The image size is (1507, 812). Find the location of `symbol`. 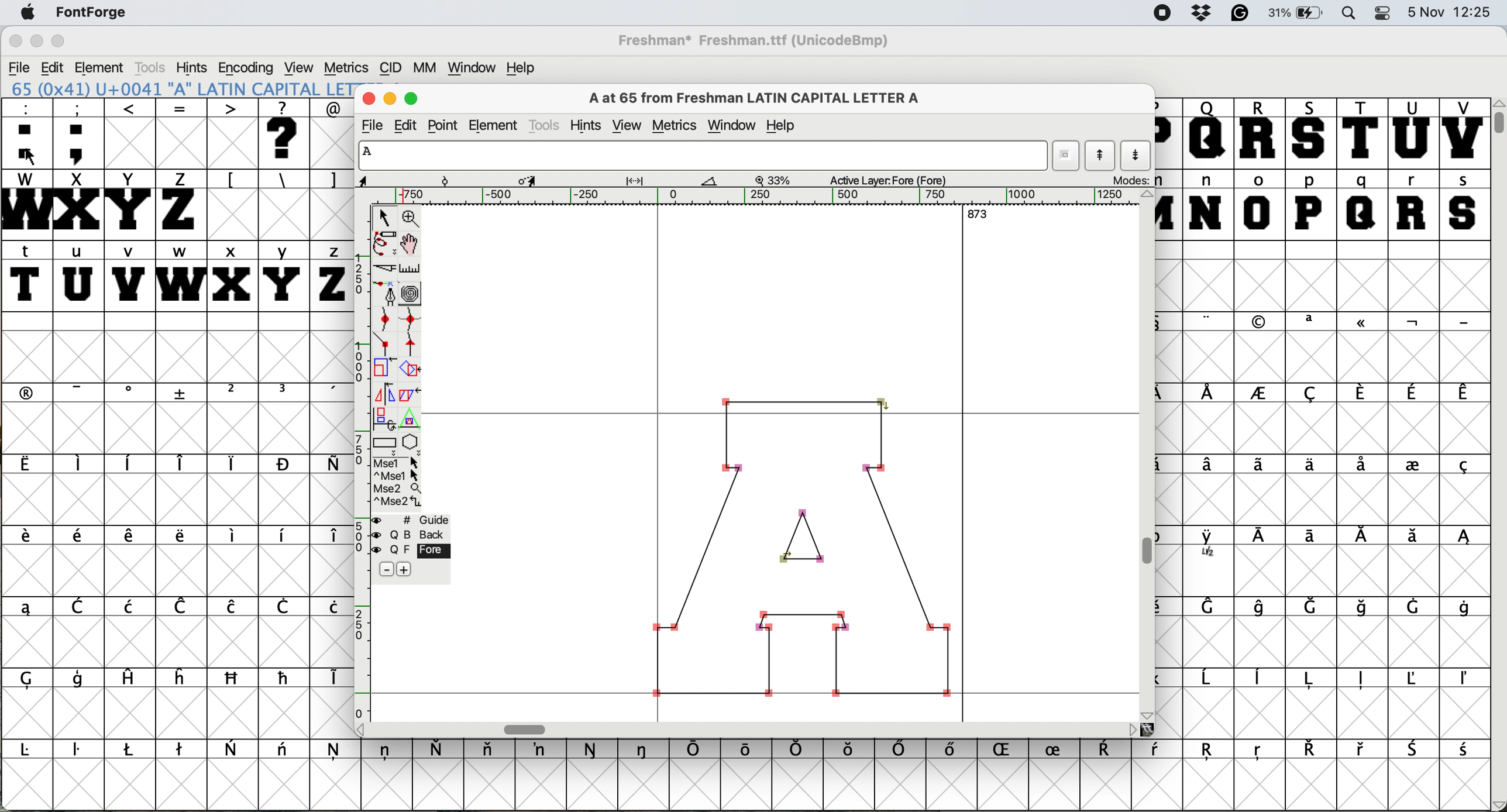

symbol is located at coordinates (131, 749).